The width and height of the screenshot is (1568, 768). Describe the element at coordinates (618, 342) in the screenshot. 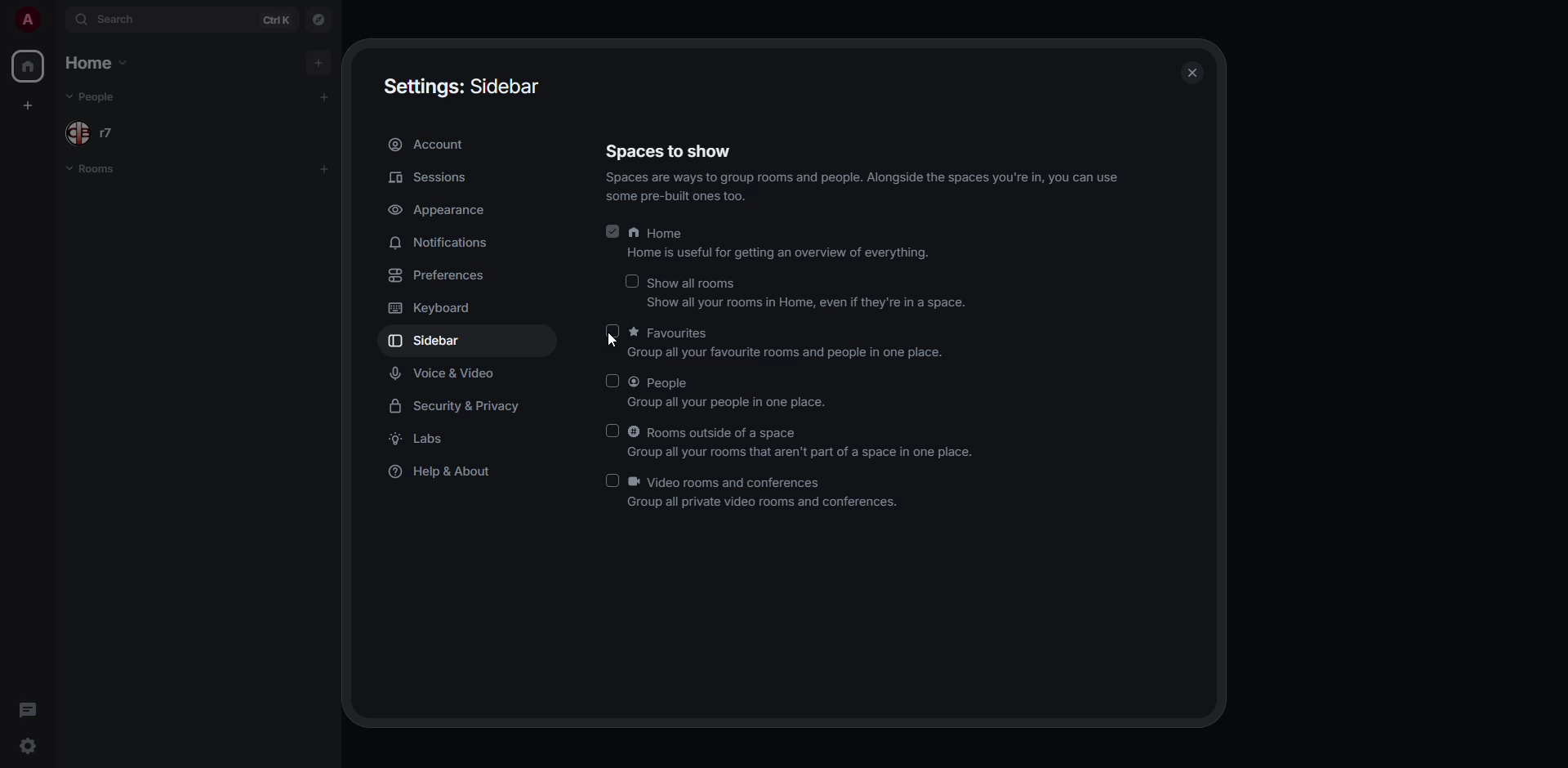

I see `cursor` at that location.